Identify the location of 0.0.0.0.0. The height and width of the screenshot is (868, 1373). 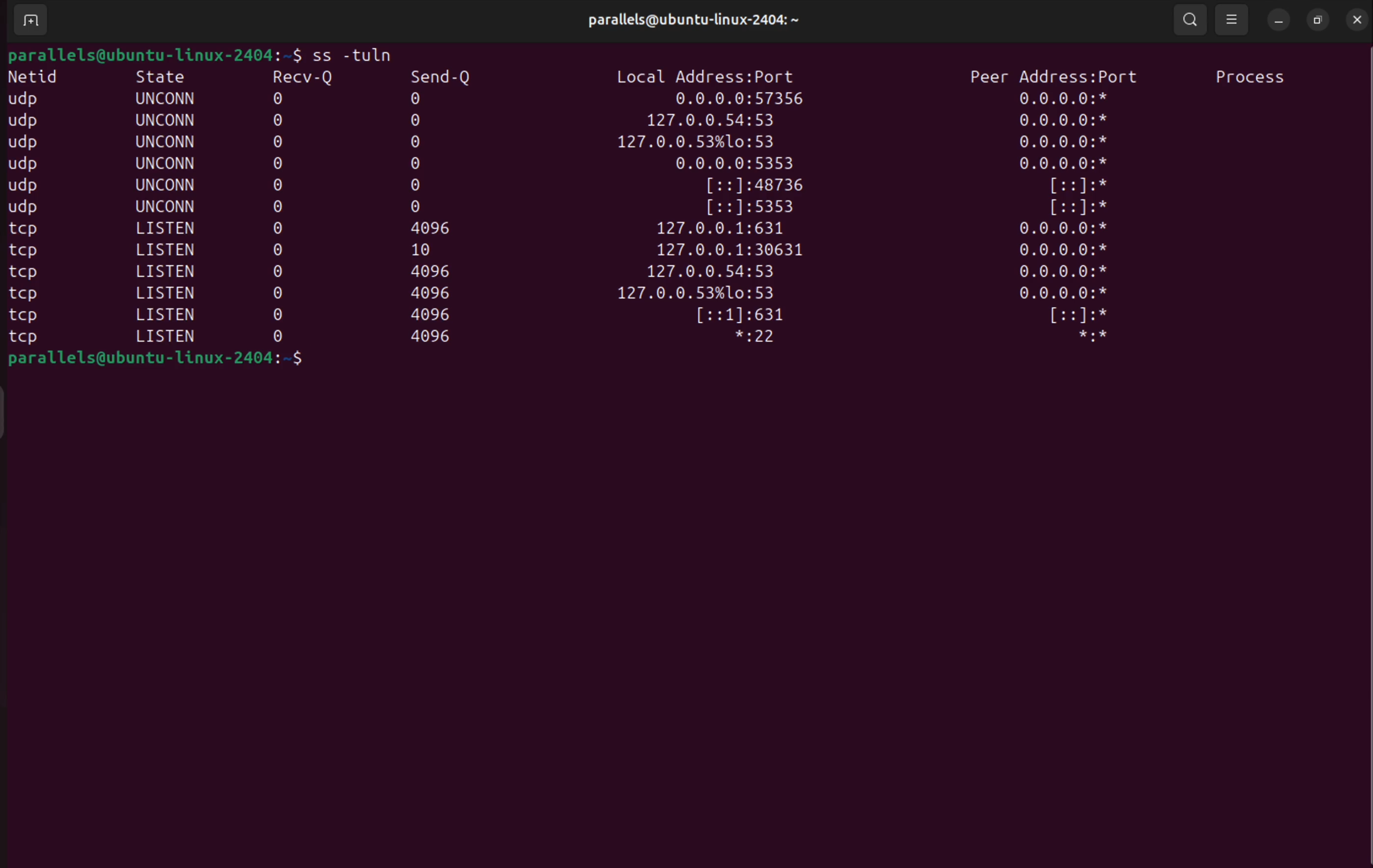
(1063, 274).